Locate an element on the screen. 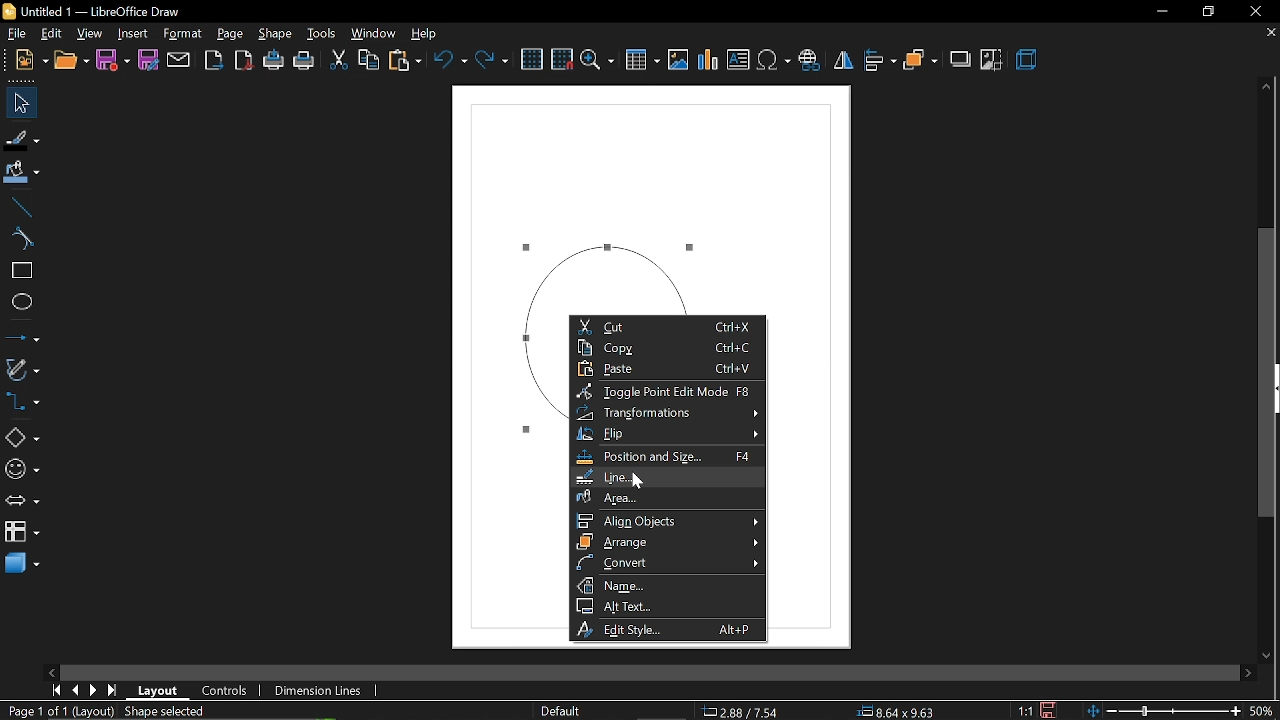  cut is located at coordinates (668, 326).